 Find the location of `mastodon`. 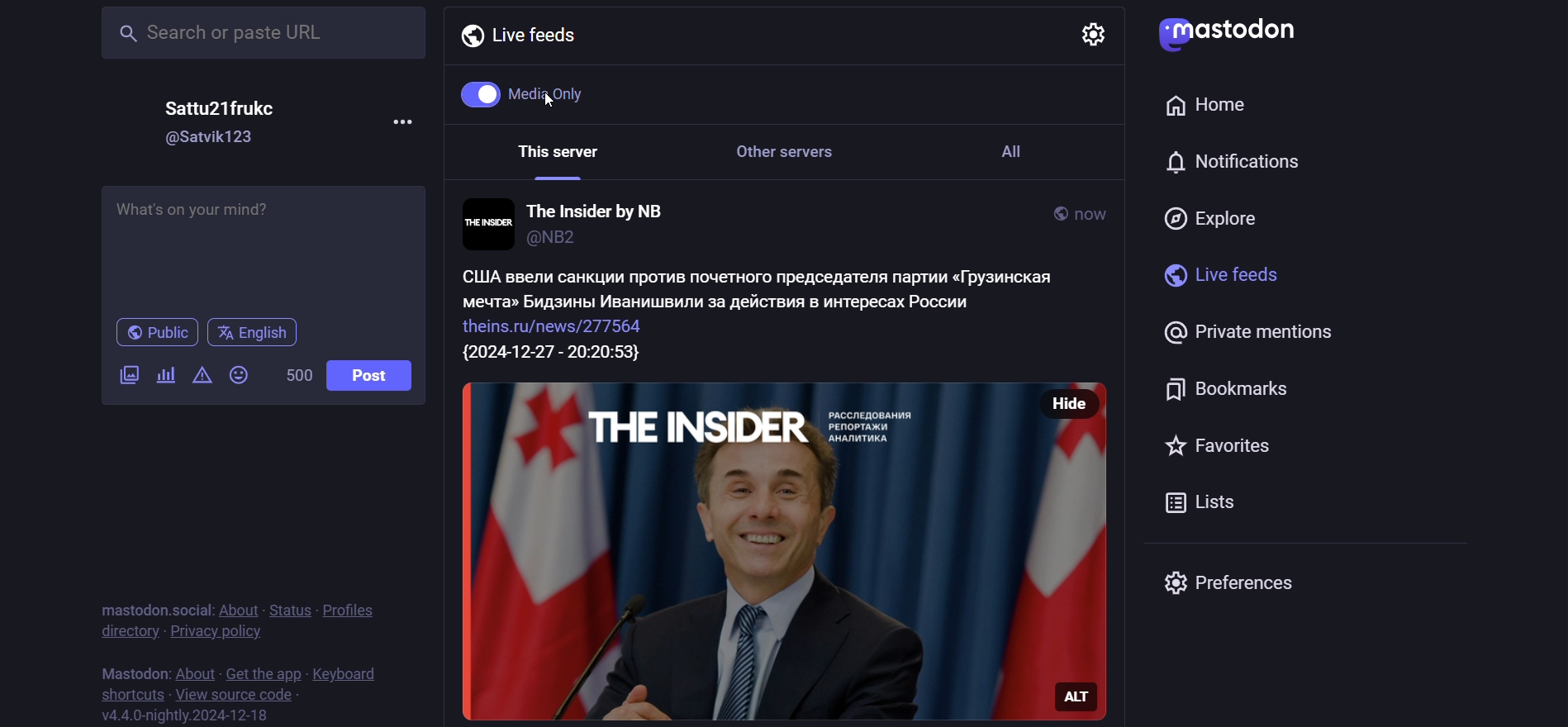

mastodon is located at coordinates (1233, 34).